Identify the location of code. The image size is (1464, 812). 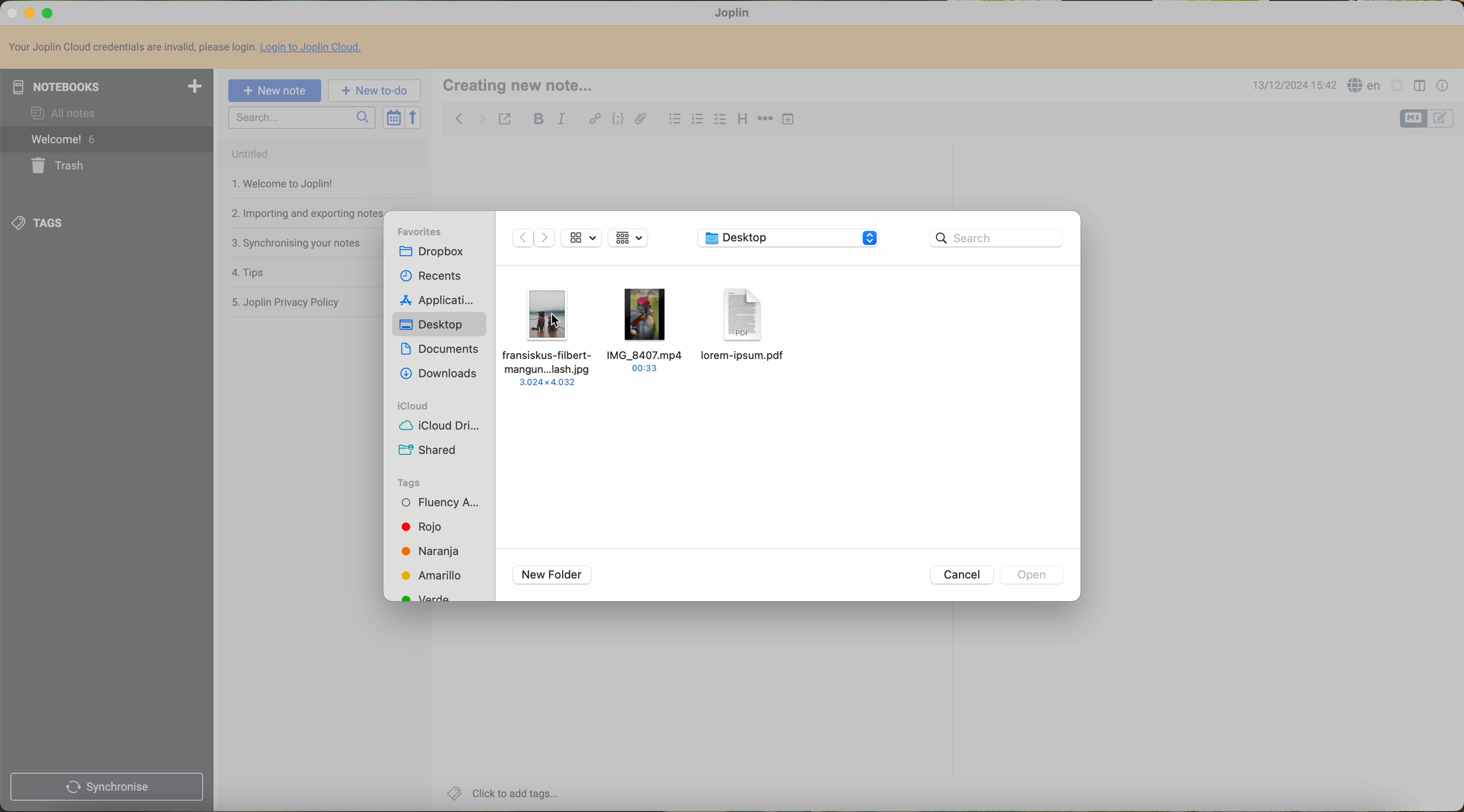
(617, 118).